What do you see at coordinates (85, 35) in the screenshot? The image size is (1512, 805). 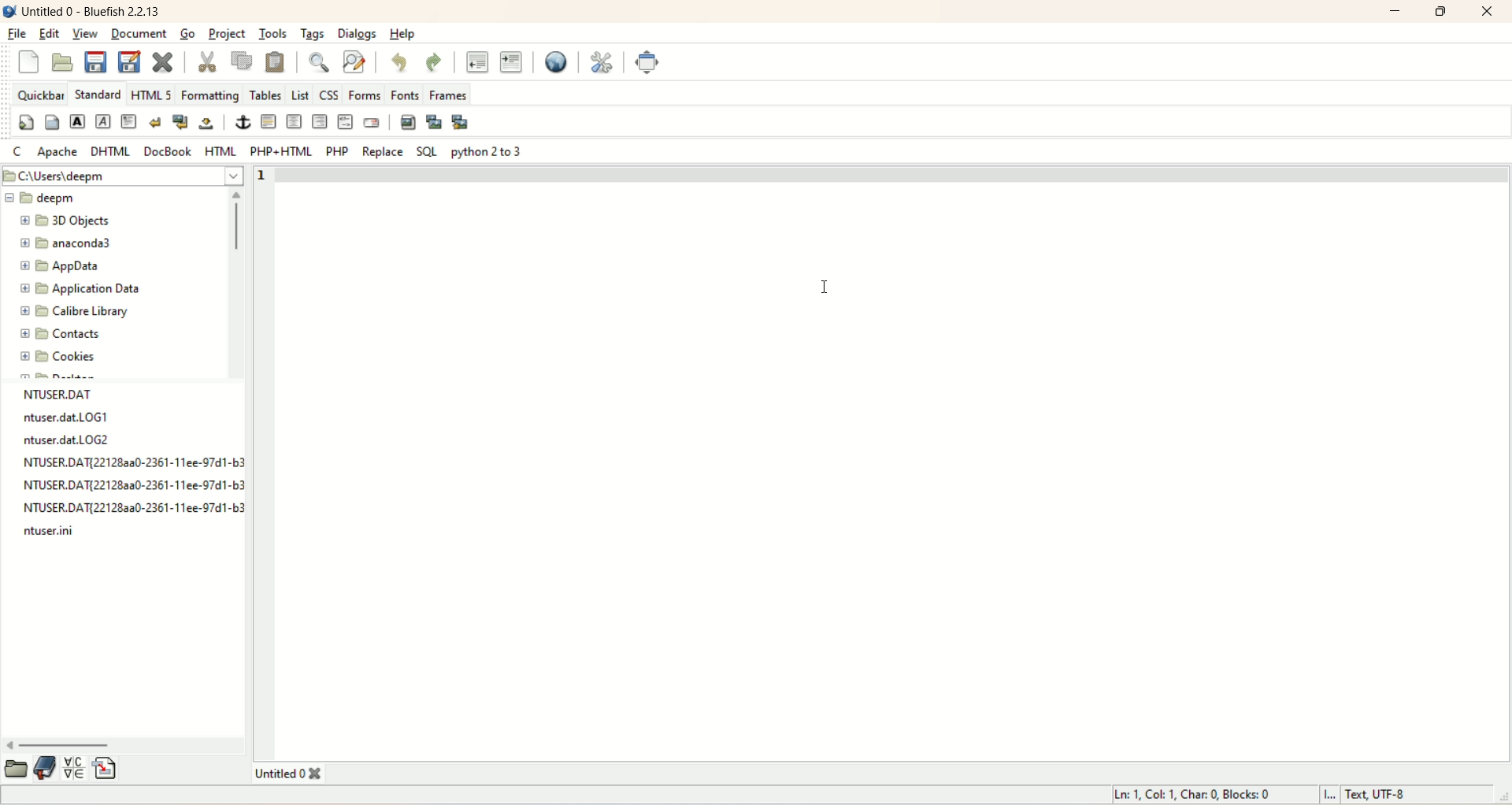 I see `view` at bounding box center [85, 35].